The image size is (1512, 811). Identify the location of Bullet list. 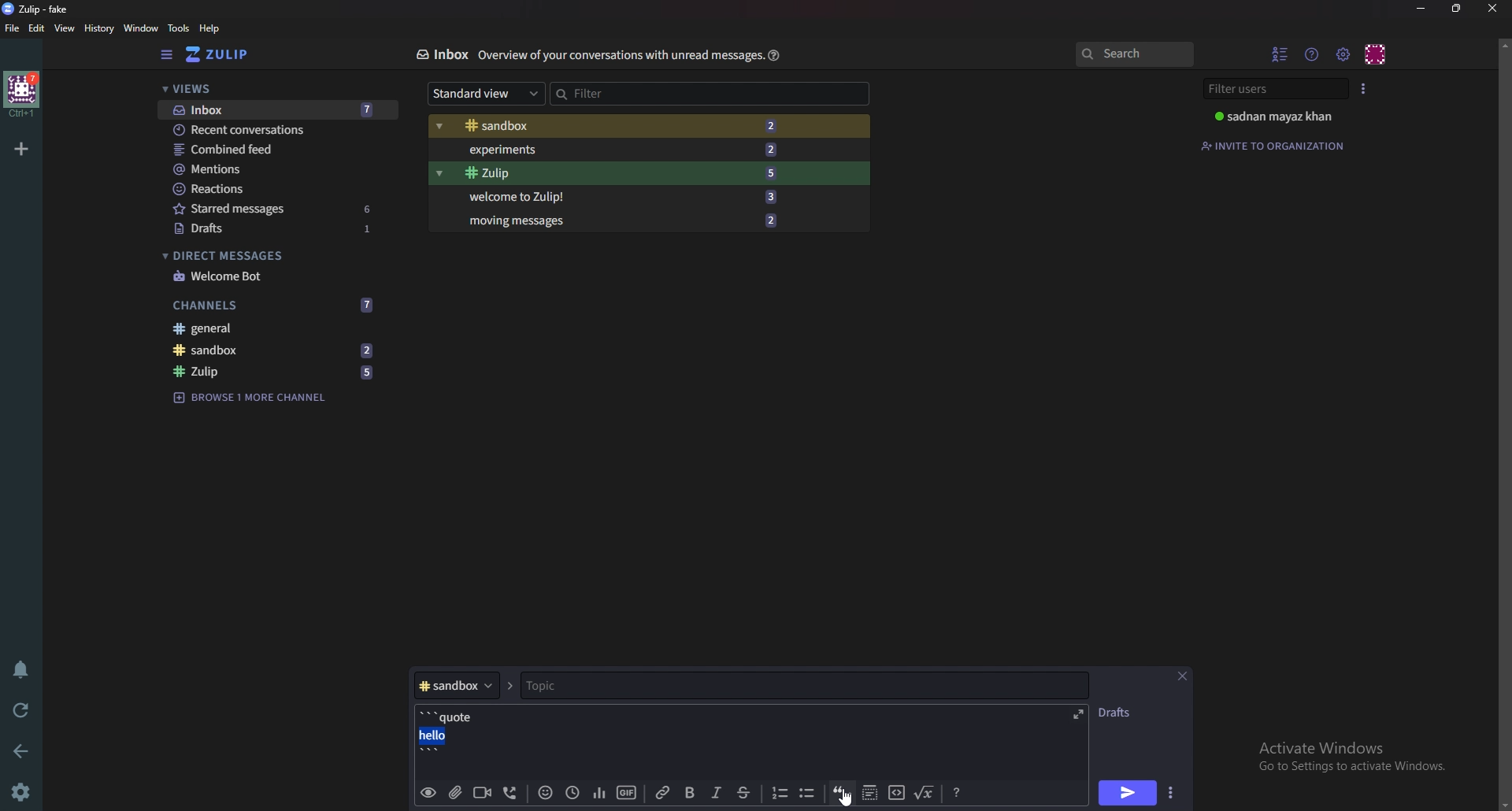
(807, 794).